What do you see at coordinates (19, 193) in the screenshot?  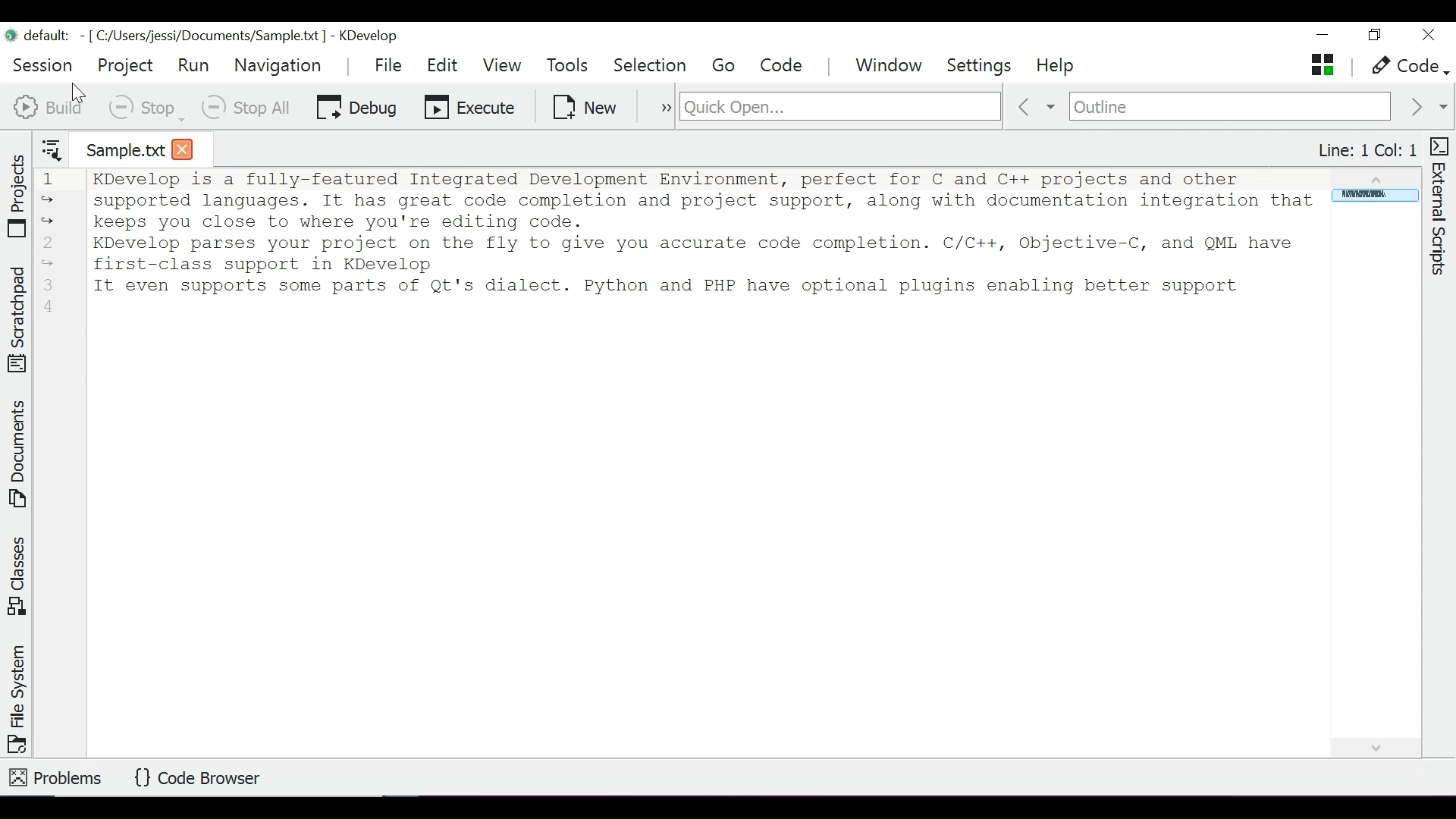 I see `Toggle Projects tool view` at bounding box center [19, 193].